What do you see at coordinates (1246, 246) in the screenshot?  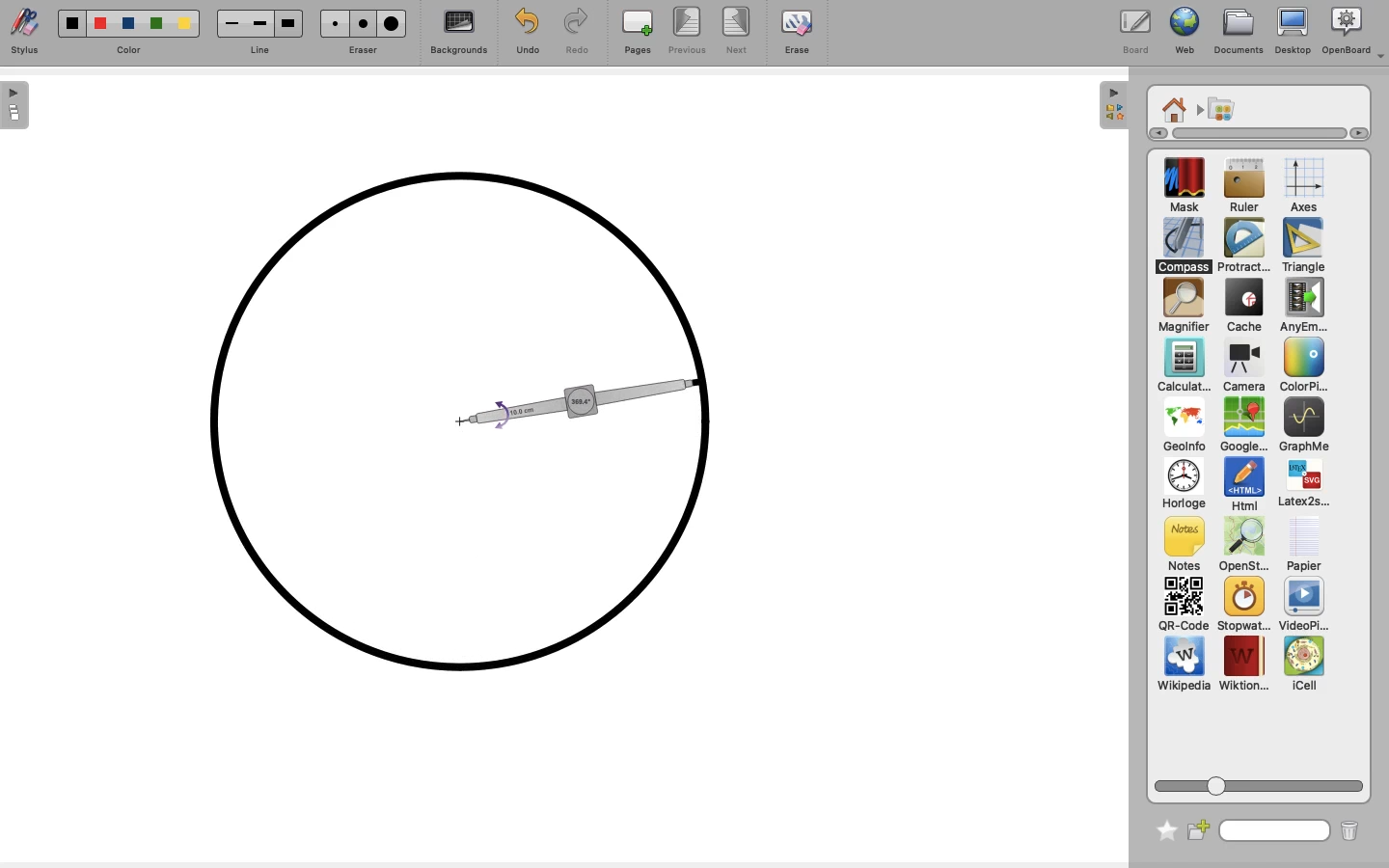 I see `Protractor` at bounding box center [1246, 246].